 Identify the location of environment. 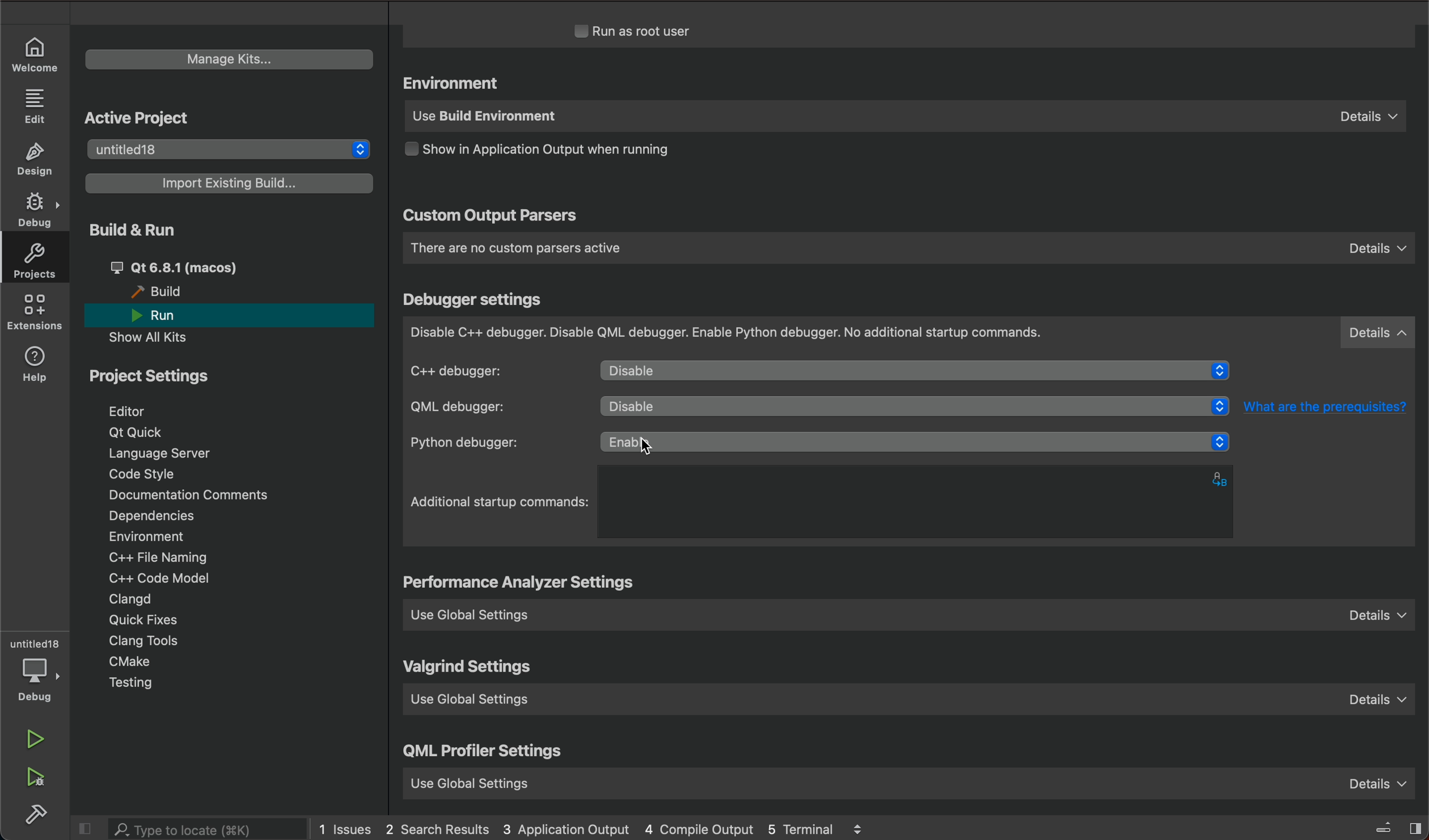
(455, 84).